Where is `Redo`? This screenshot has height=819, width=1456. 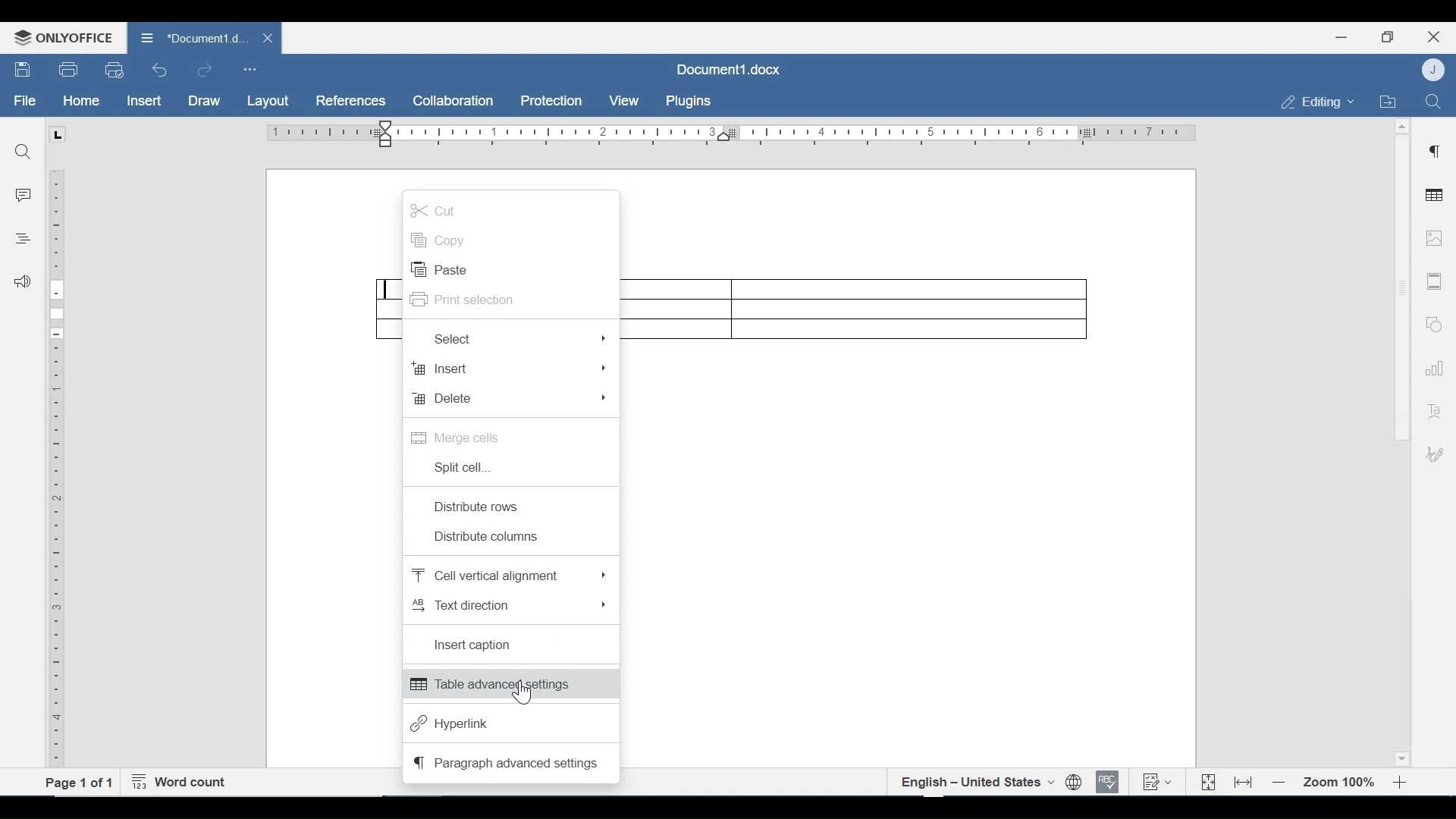
Redo is located at coordinates (204, 71).